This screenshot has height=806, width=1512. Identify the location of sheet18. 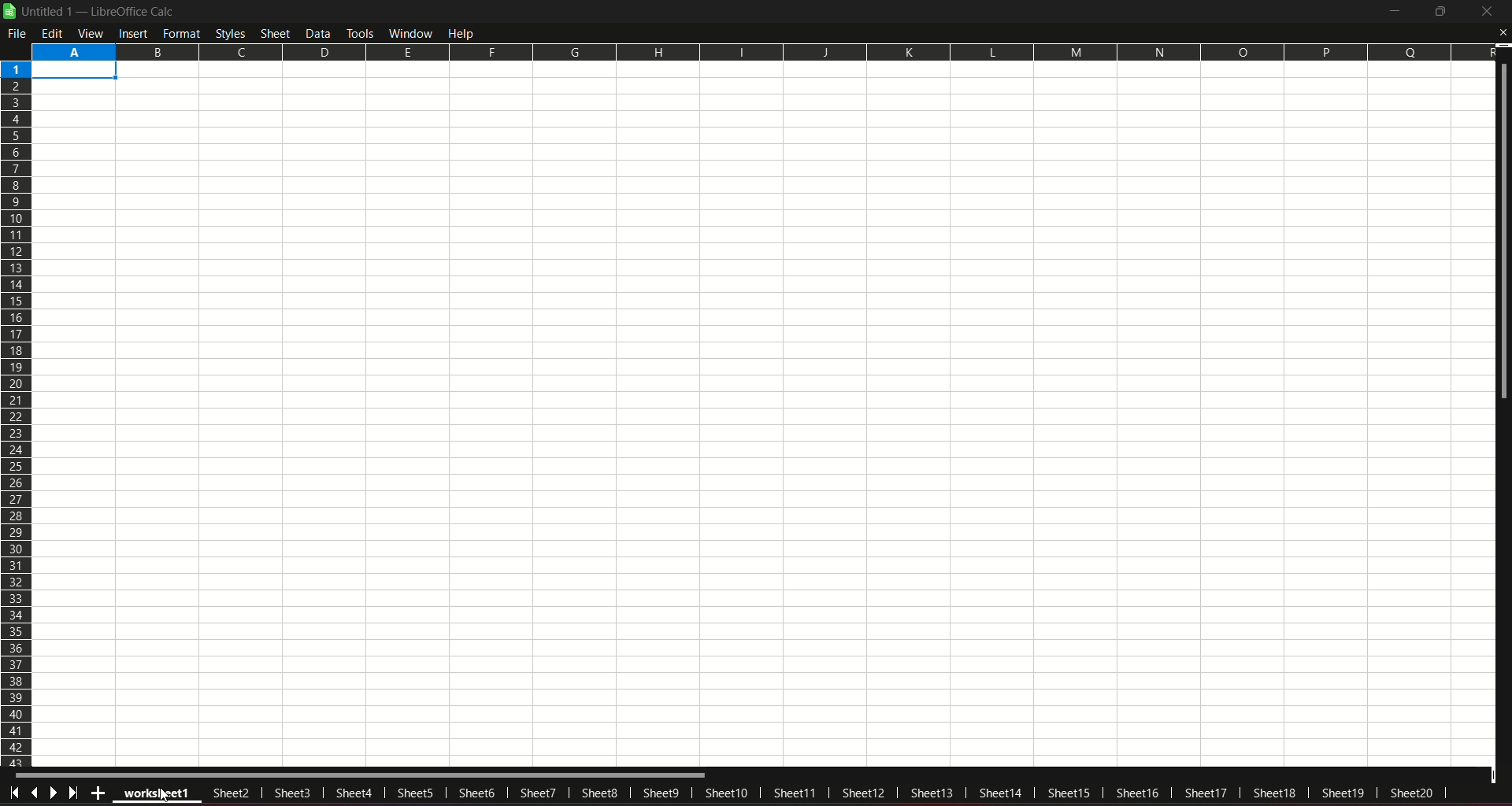
(1273, 793).